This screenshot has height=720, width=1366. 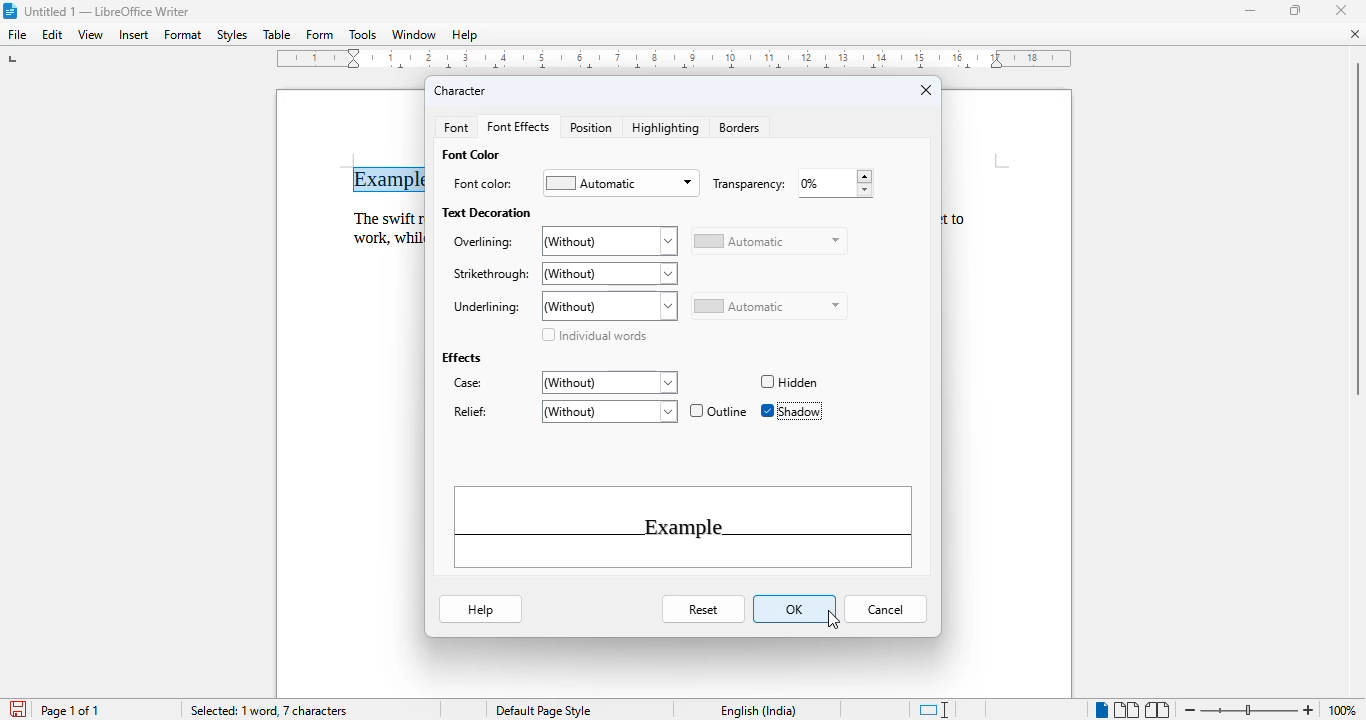 What do you see at coordinates (563, 274) in the screenshot?
I see `strikethrough: (Without)` at bounding box center [563, 274].